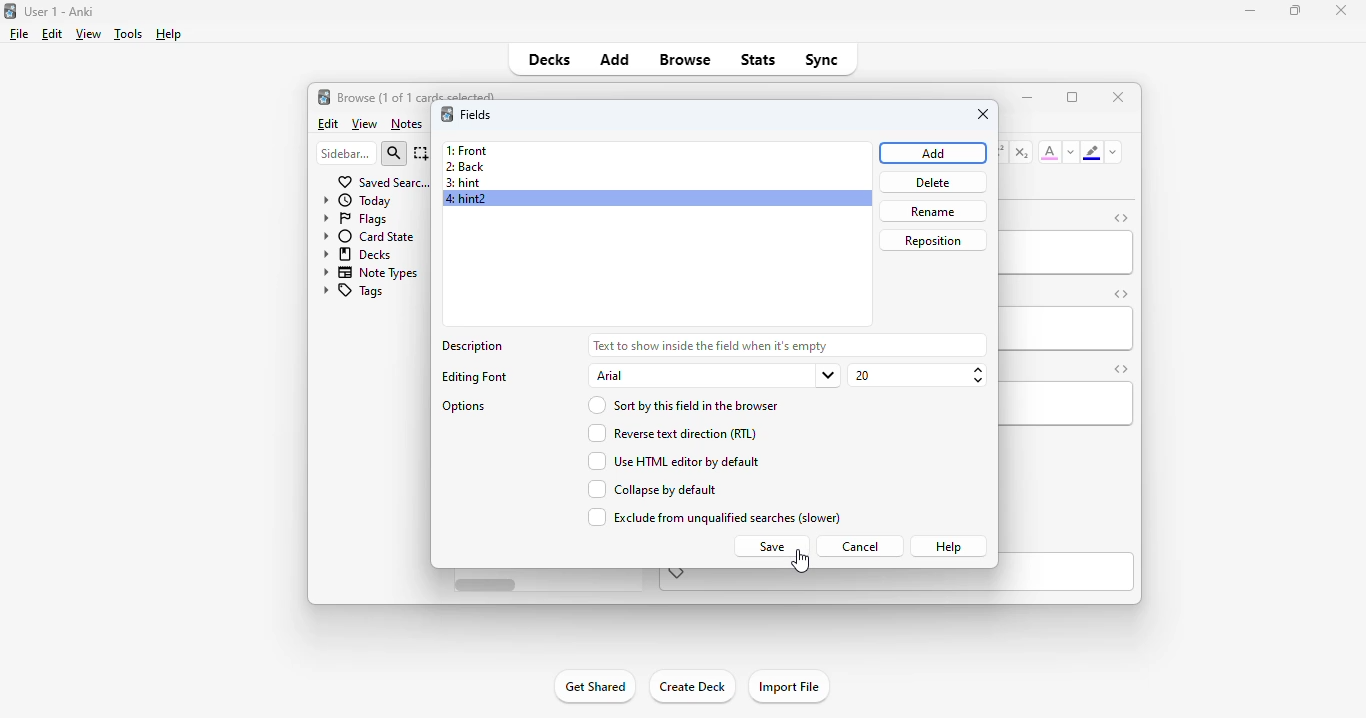  Describe the element at coordinates (672, 461) in the screenshot. I see `use HTML editor by default` at that location.